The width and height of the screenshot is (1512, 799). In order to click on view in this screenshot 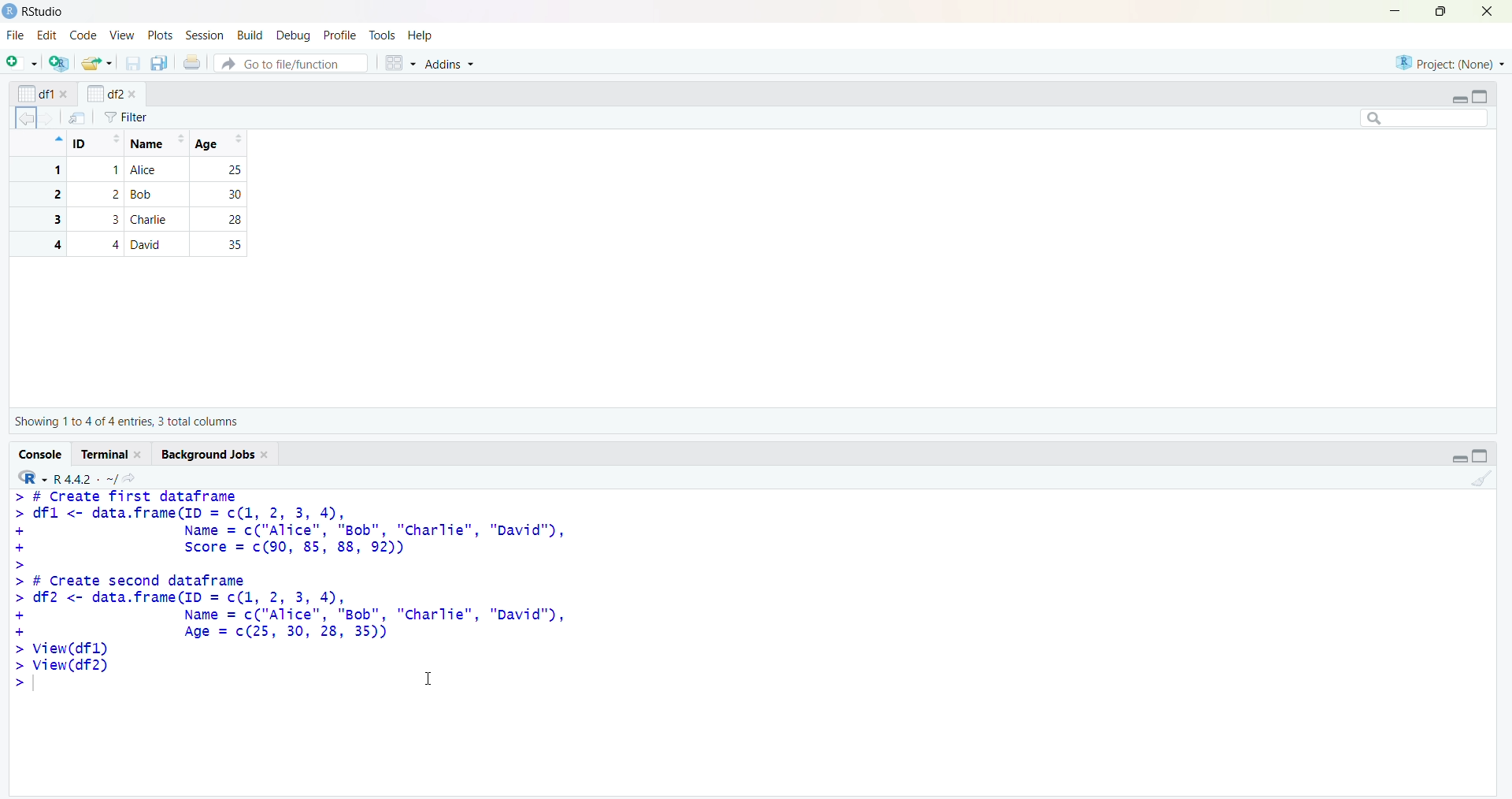, I will do `click(123, 36)`.